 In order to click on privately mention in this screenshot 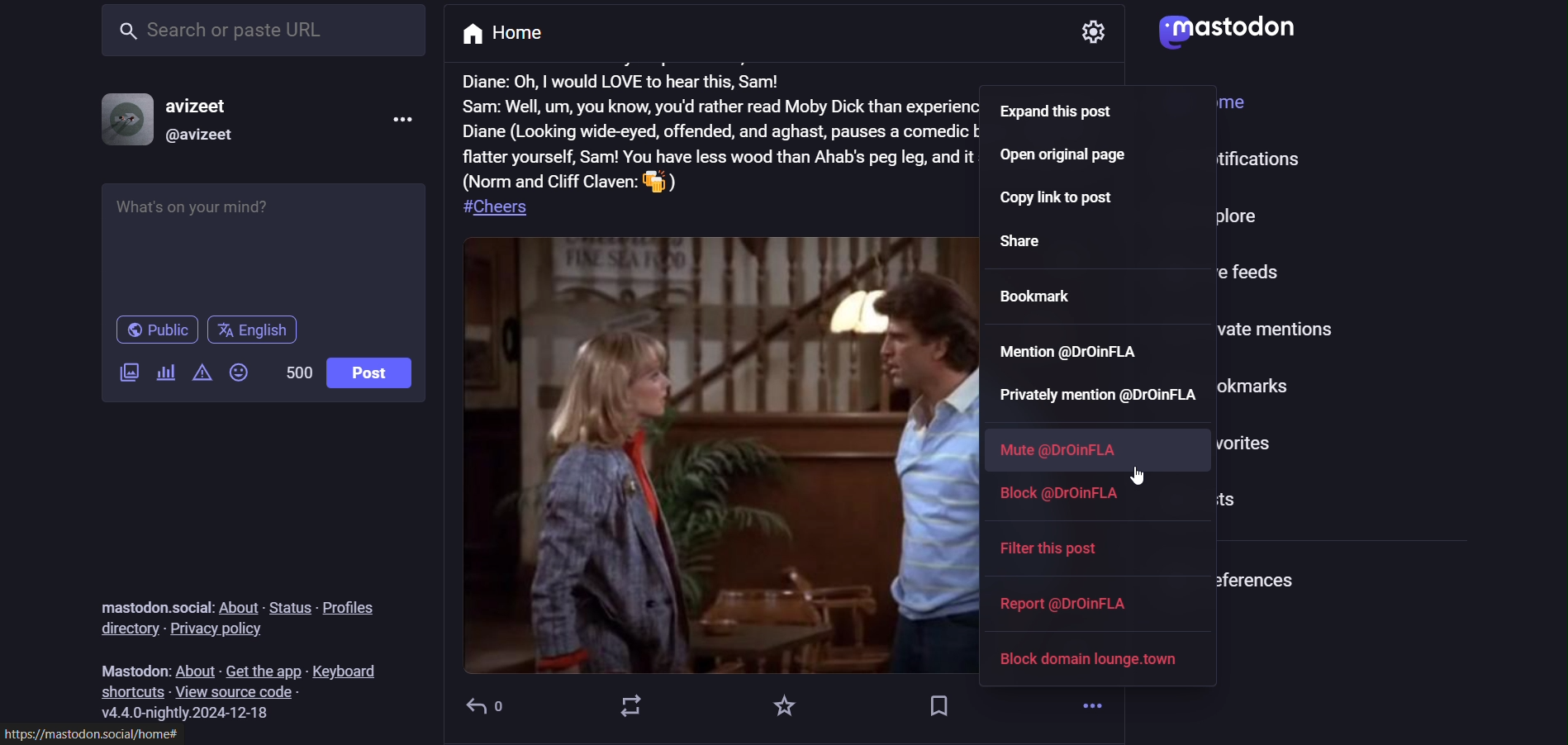, I will do `click(1100, 396)`.